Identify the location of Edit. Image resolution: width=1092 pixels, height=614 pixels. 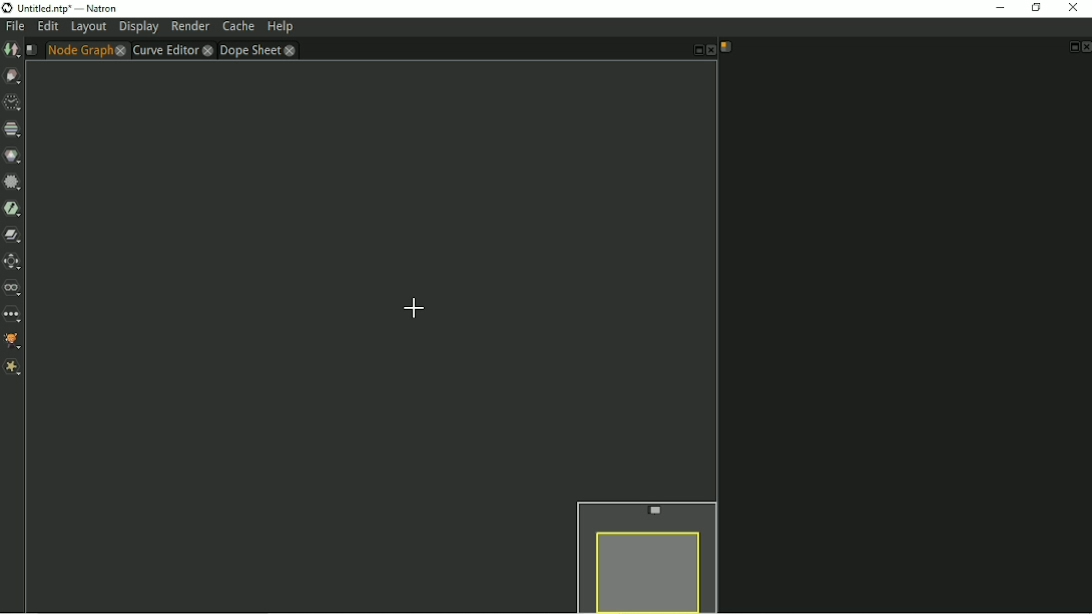
(47, 27).